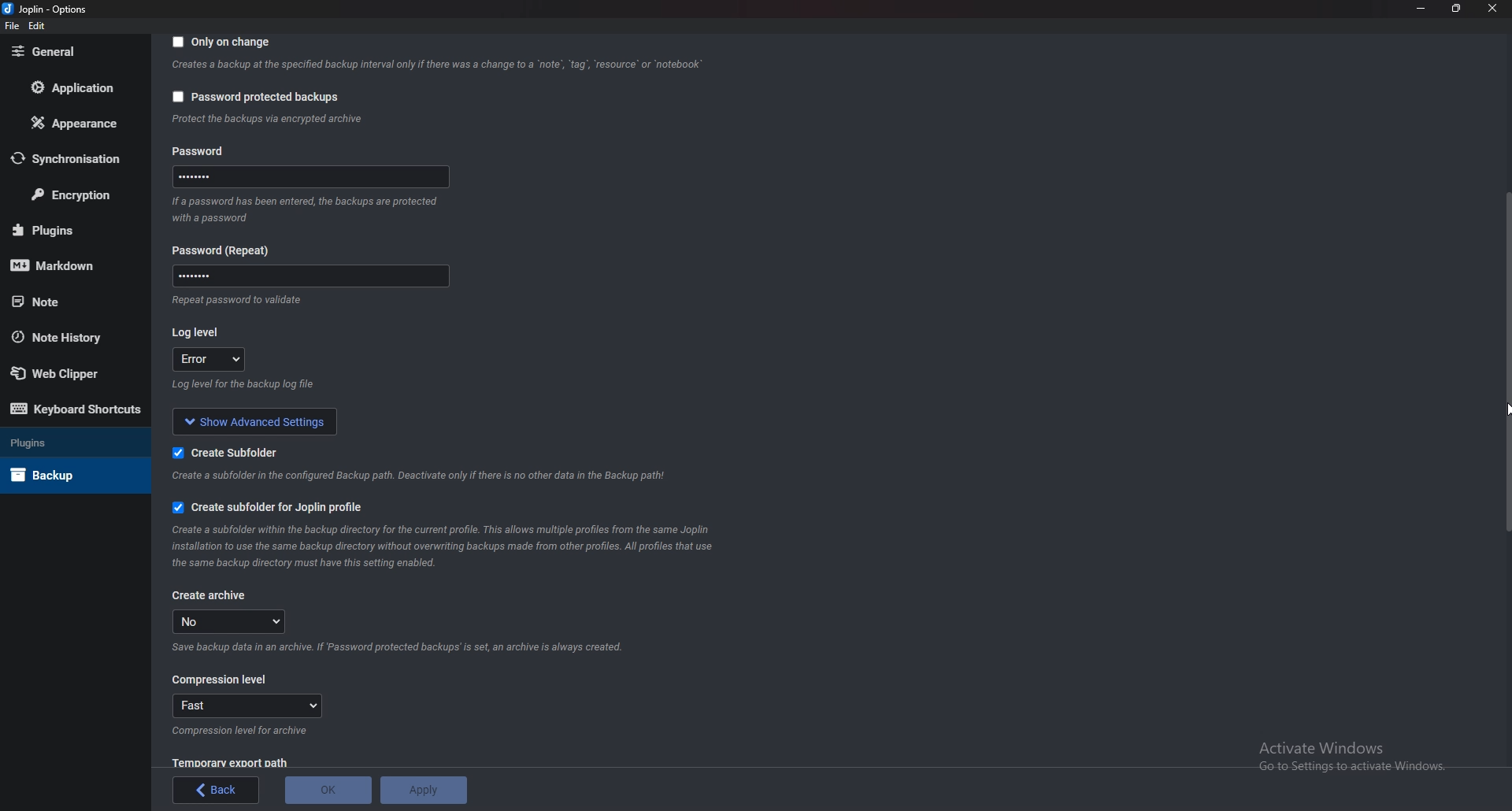 The width and height of the screenshot is (1512, 811). I want to click on info, so click(267, 120).